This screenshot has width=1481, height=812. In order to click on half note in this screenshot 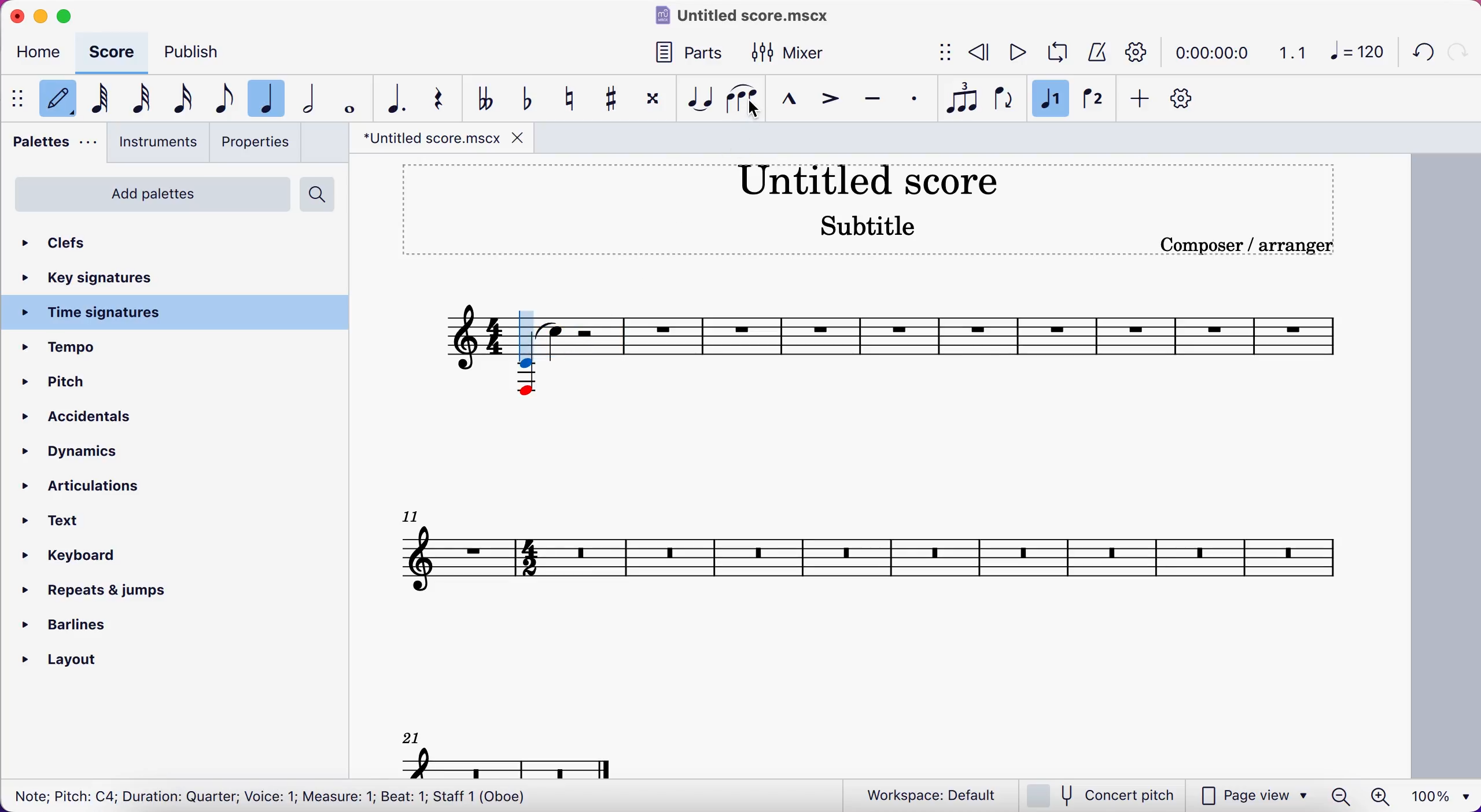, I will do `click(312, 96)`.